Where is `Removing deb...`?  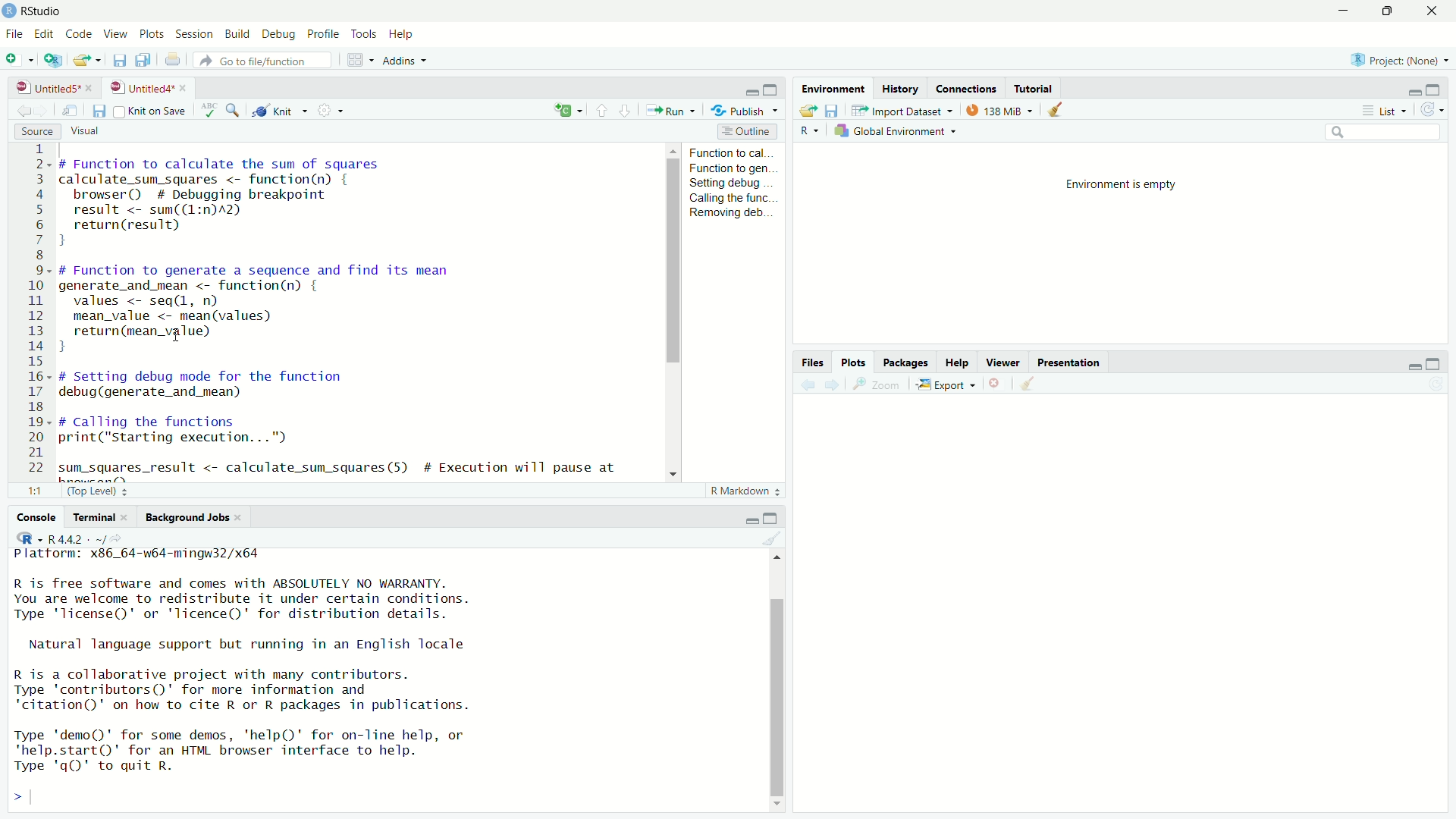
Removing deb... is located at coordinates (734, 215).